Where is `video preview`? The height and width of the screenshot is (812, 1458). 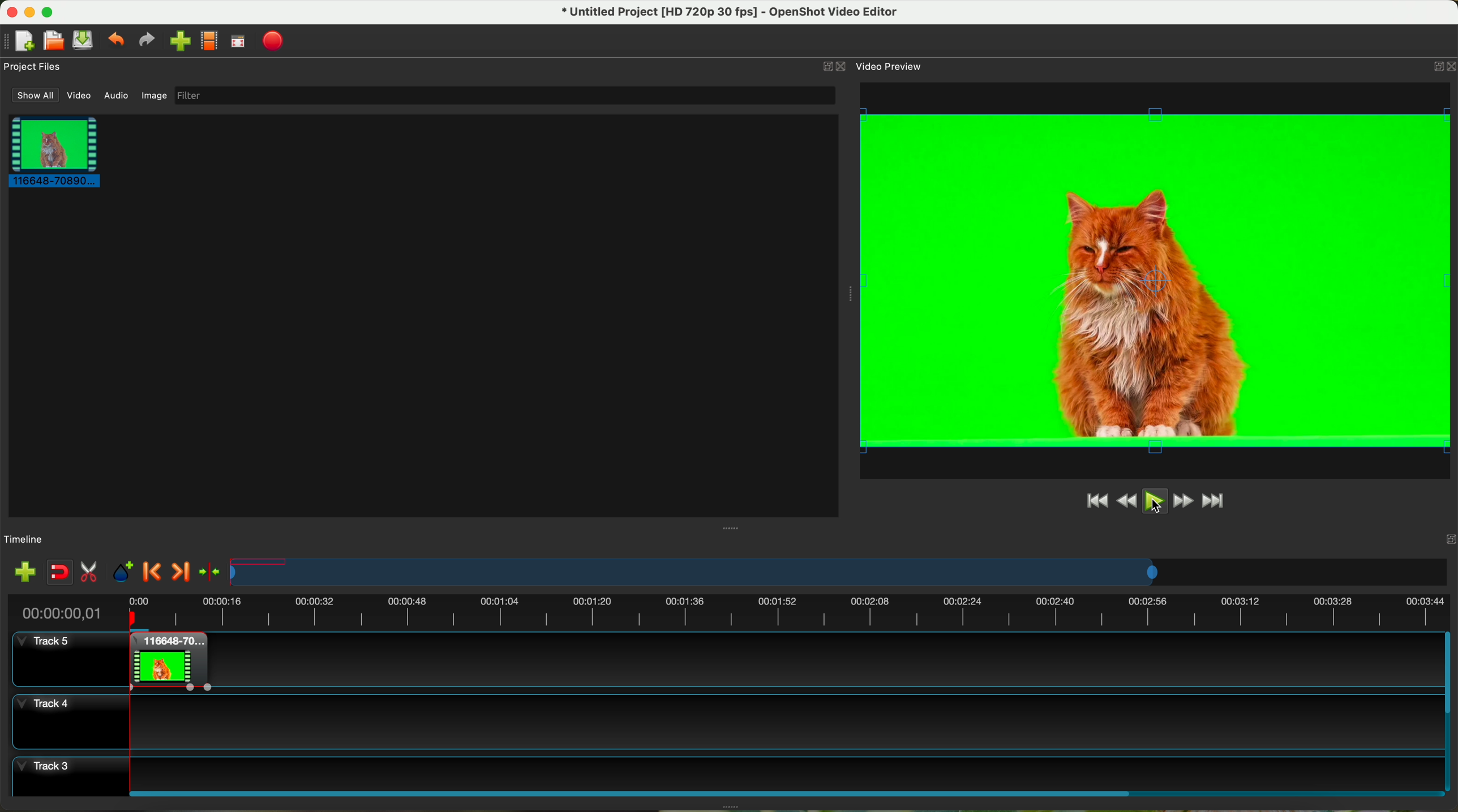
video preview is located at coordinates (891, 66).